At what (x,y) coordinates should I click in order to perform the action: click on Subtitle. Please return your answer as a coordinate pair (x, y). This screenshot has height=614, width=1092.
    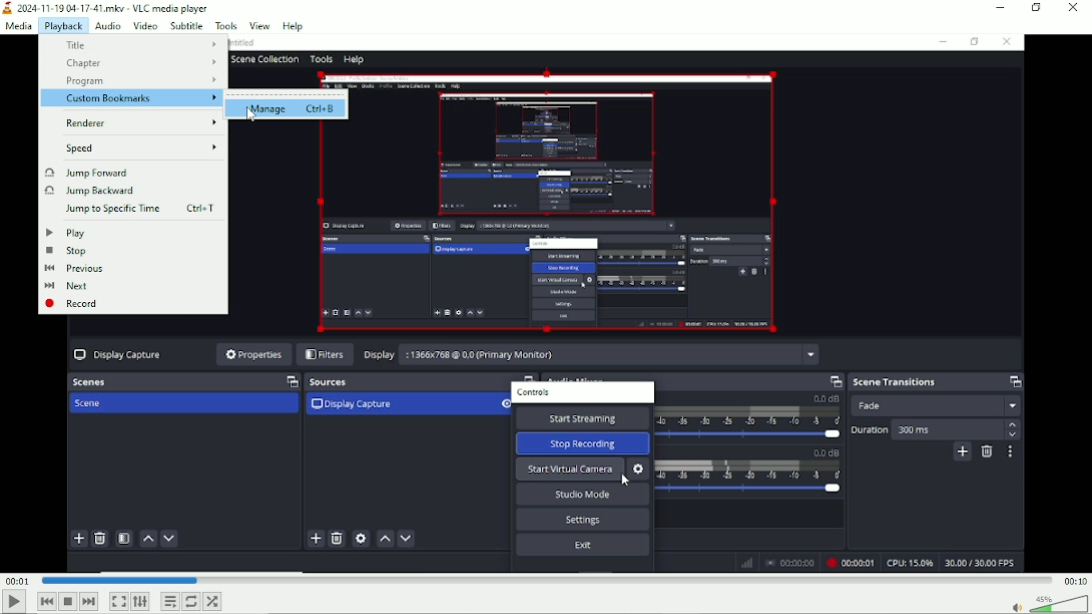
    Looking at the image, I should click on (186, 26).